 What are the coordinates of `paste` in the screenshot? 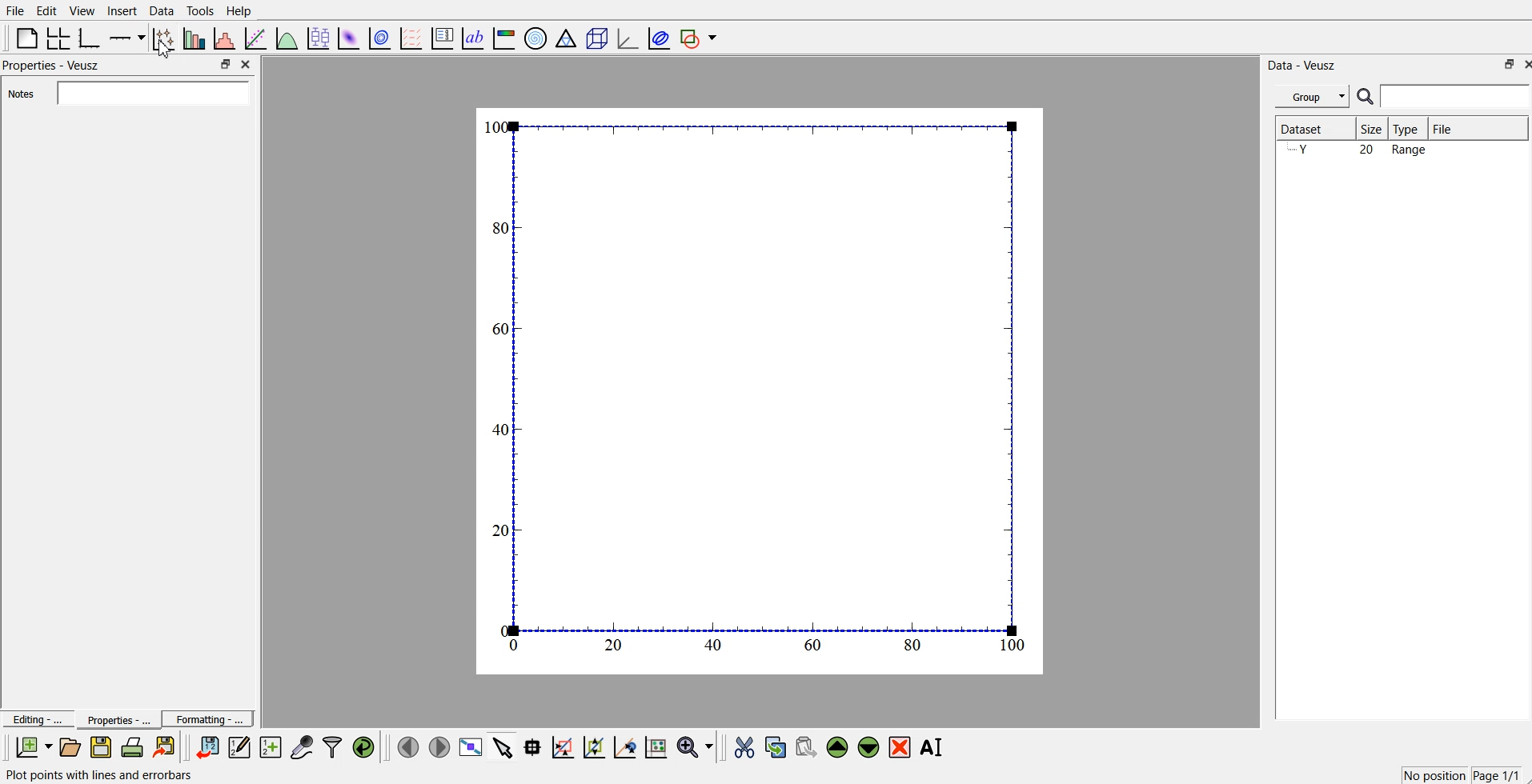 It's located at (807, 745).